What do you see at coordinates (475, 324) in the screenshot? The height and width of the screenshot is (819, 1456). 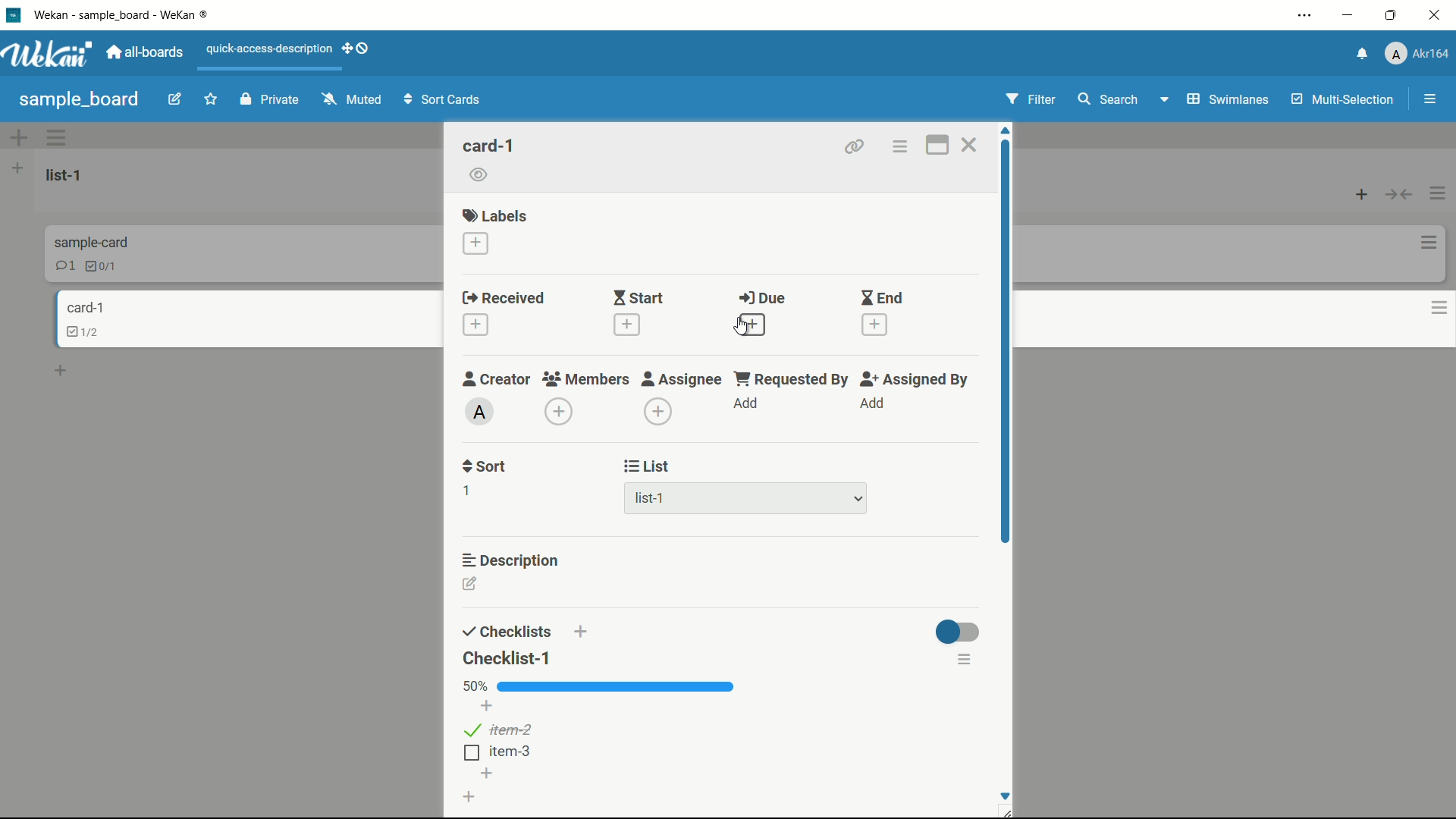 I see `add date` at bounding box center [475, 324].